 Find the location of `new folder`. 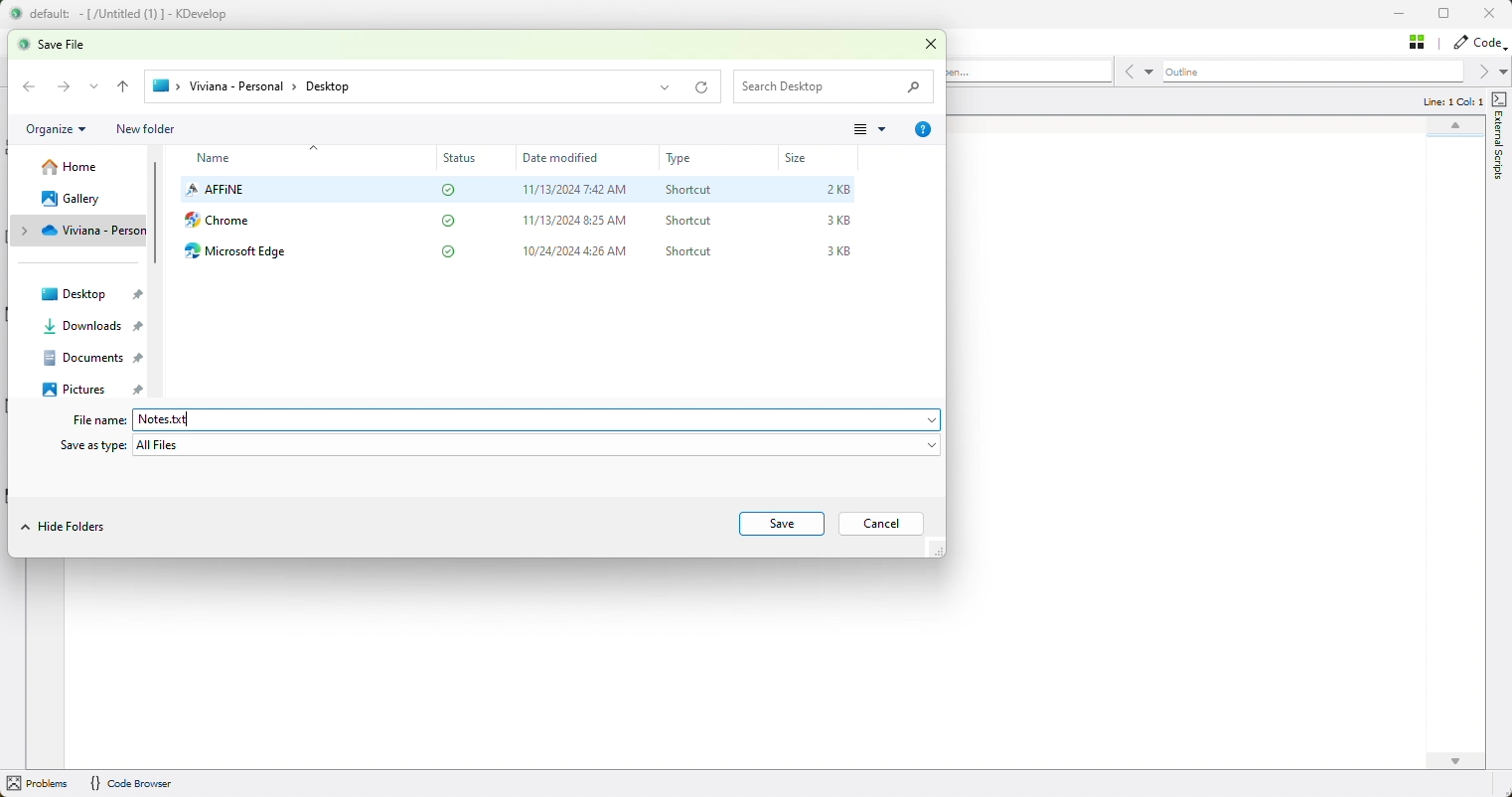

new folder is located at coordinates (148, 128).